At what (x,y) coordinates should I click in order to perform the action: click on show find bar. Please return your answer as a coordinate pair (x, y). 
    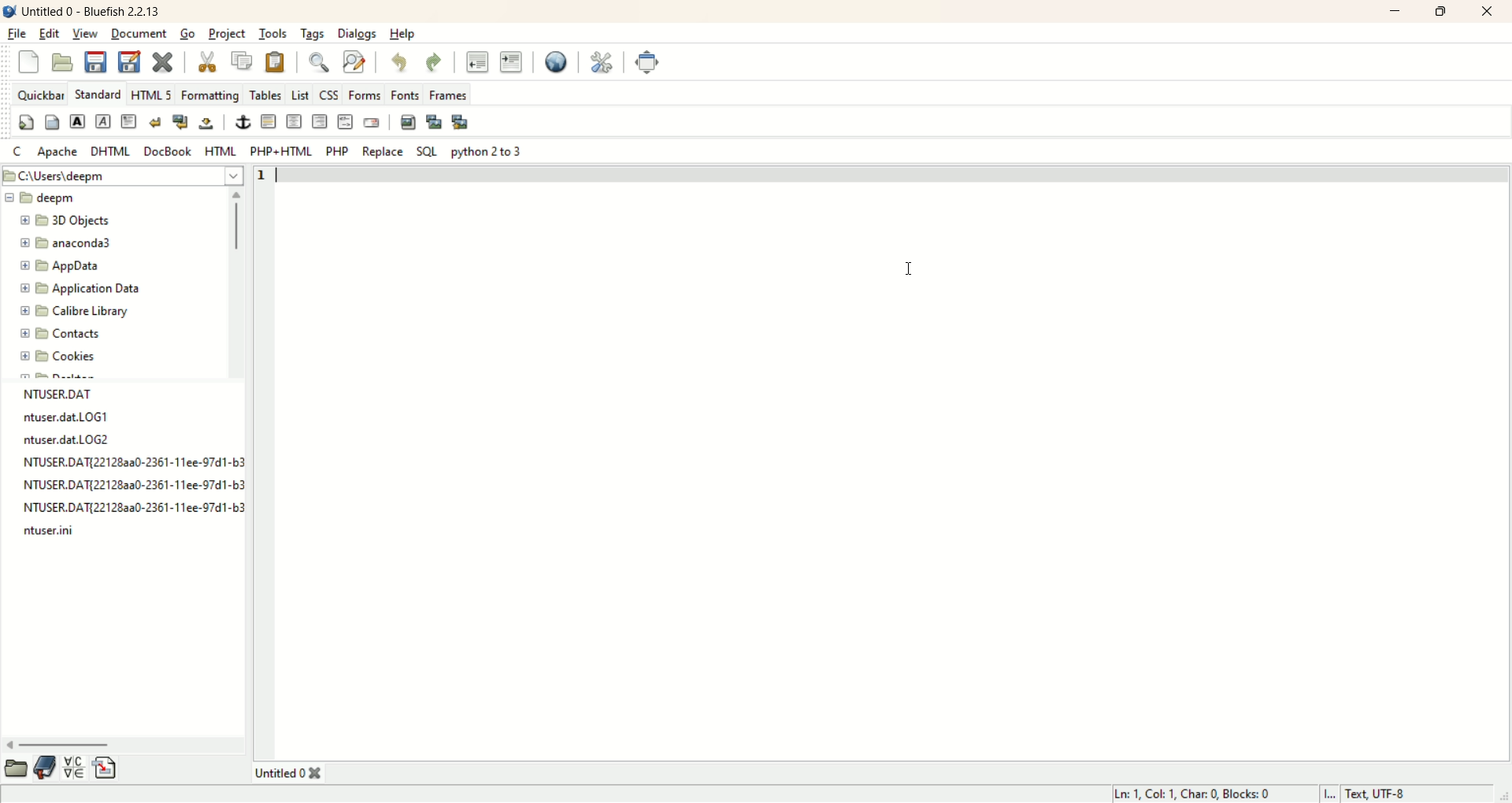
    Looking at the image, I should click on (320, 64).